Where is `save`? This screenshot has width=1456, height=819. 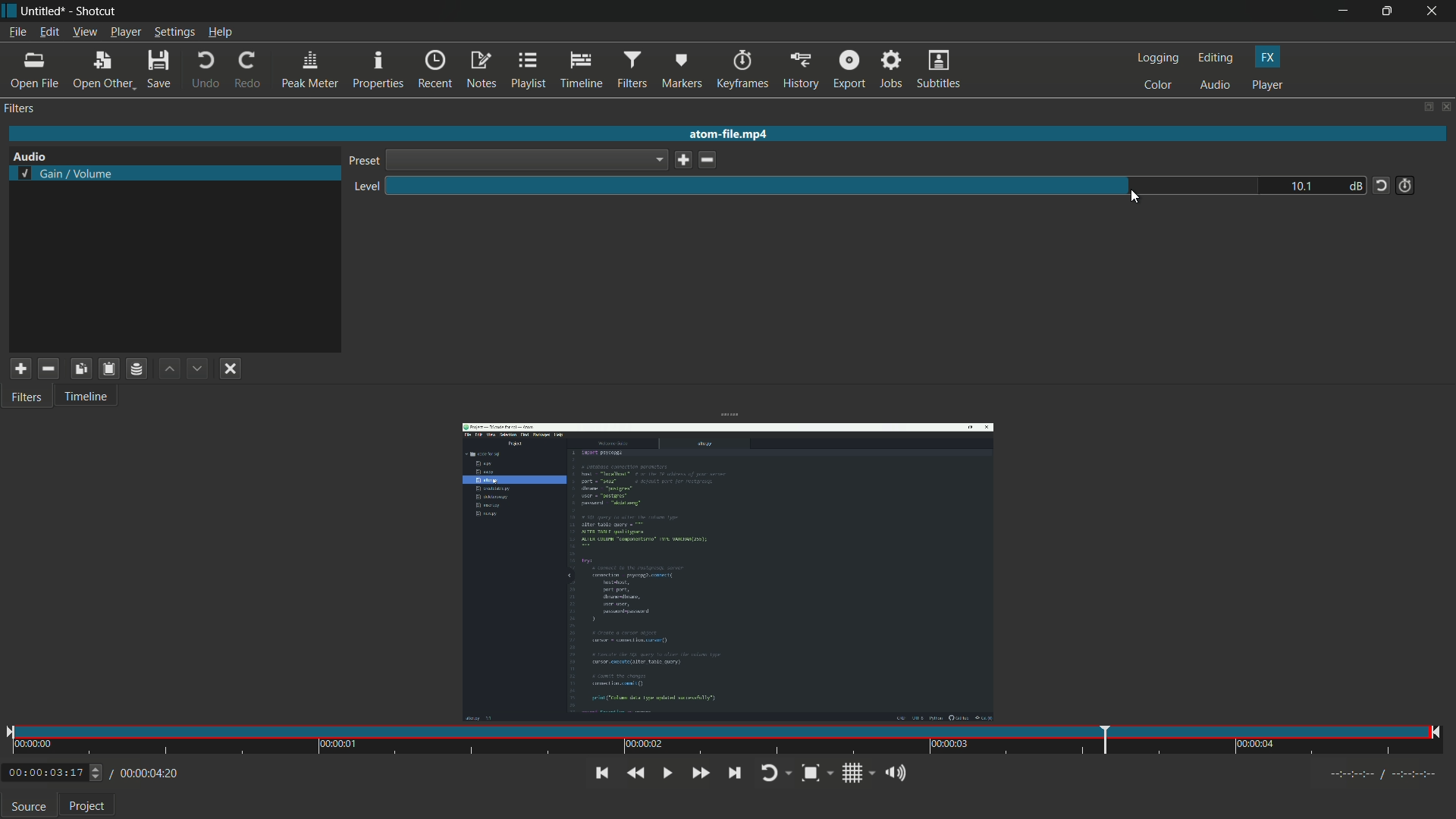 save is located at coordinates (158, 71).